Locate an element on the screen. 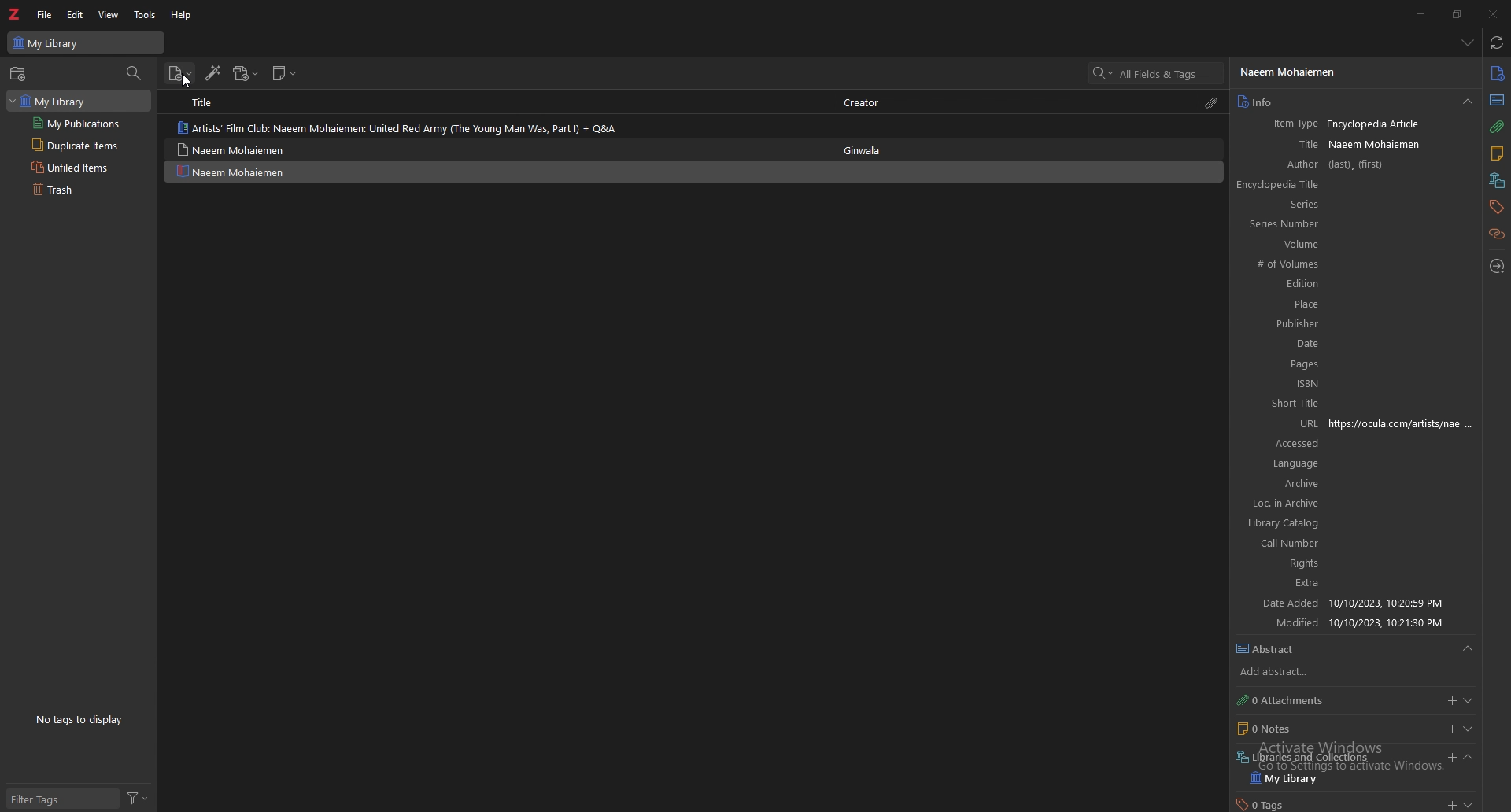 This screenshot has width=1511, height=812. author is located at coordinates (1279, 164).